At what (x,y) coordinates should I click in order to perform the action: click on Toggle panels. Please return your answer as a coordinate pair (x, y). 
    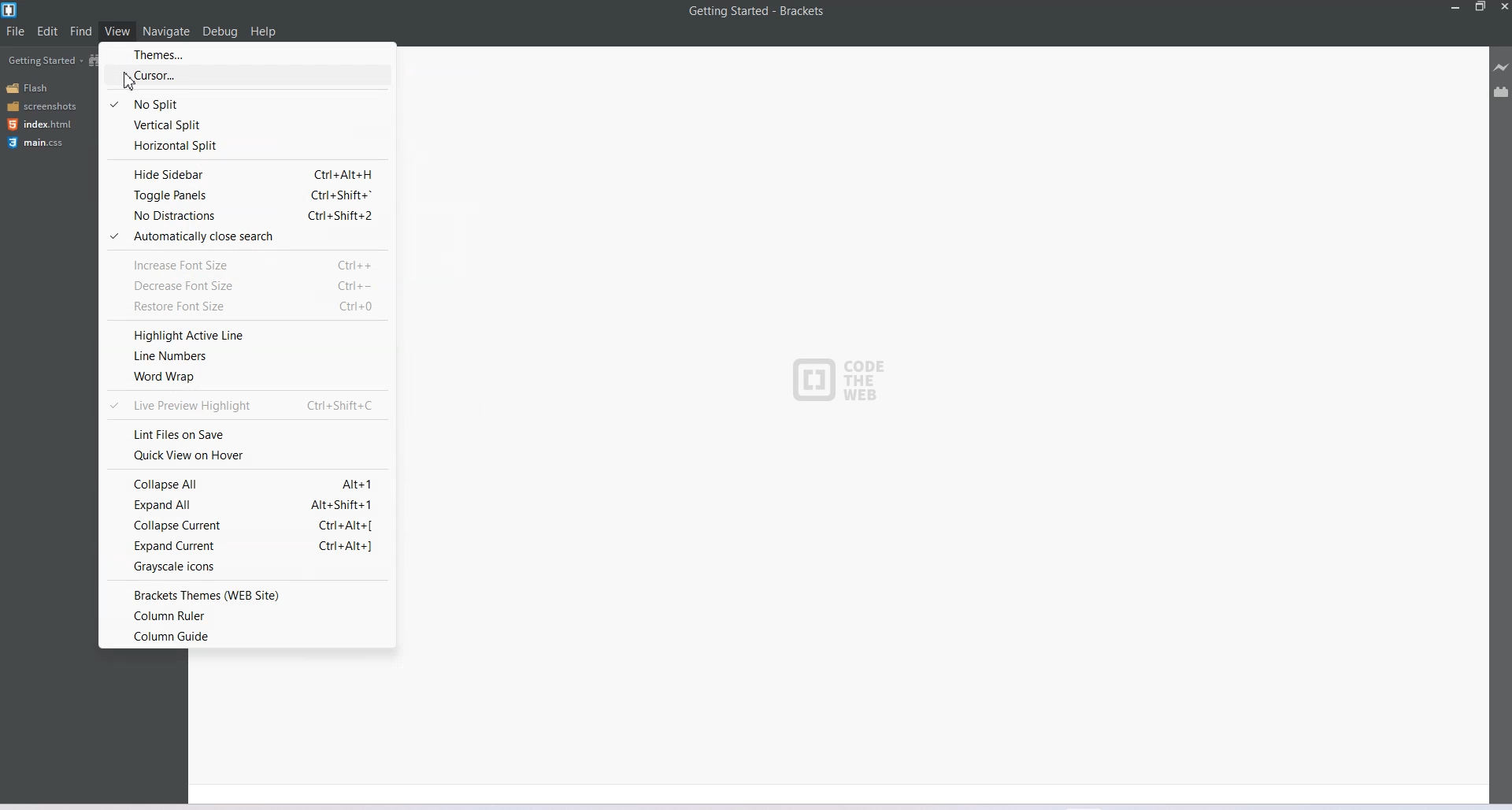
    Looking at the image, I should click on (245, 196).